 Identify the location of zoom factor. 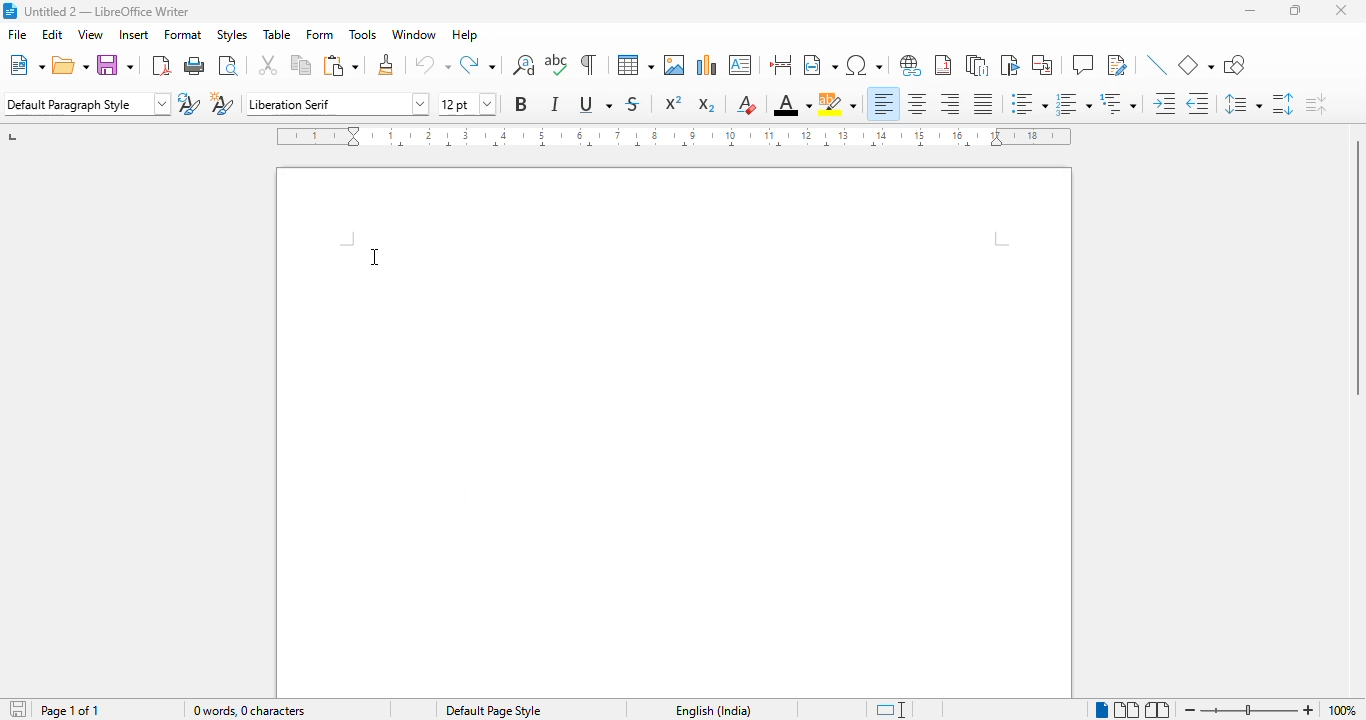
(1341, 710).